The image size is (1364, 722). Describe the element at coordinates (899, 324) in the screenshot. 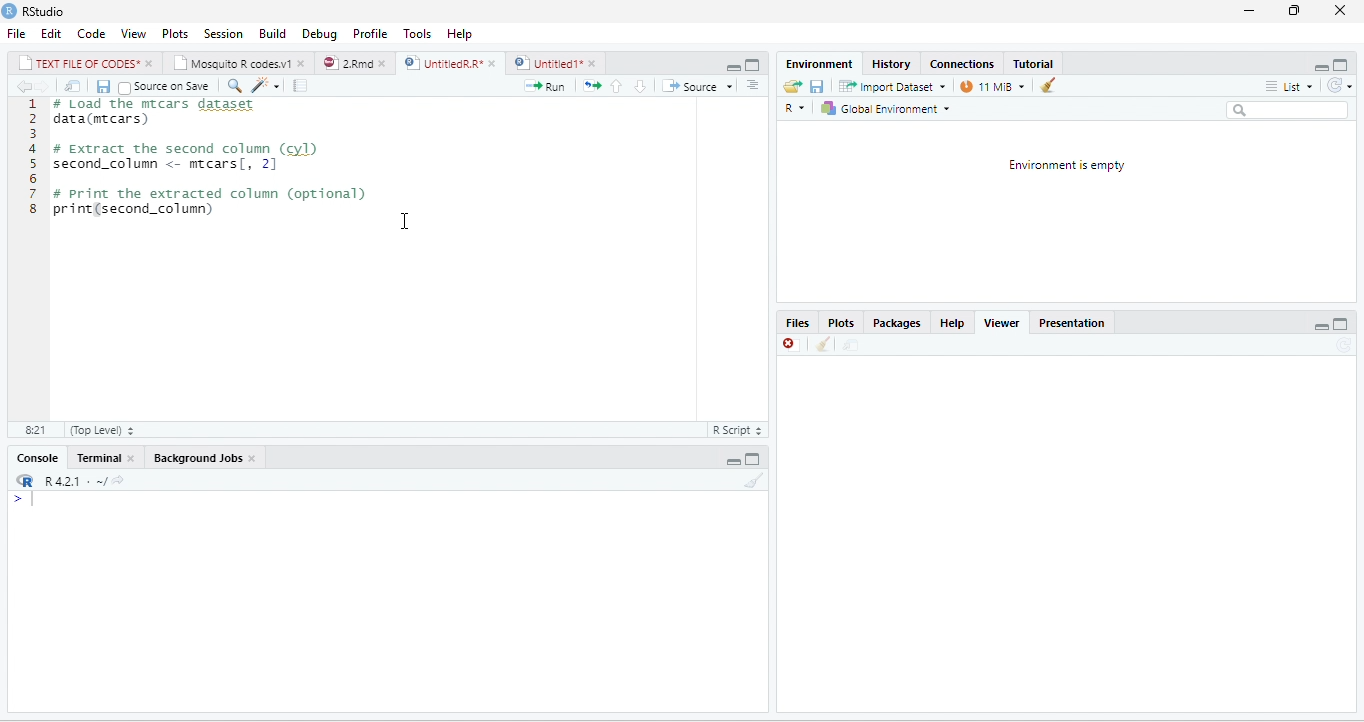

I see `Packages` at that location.